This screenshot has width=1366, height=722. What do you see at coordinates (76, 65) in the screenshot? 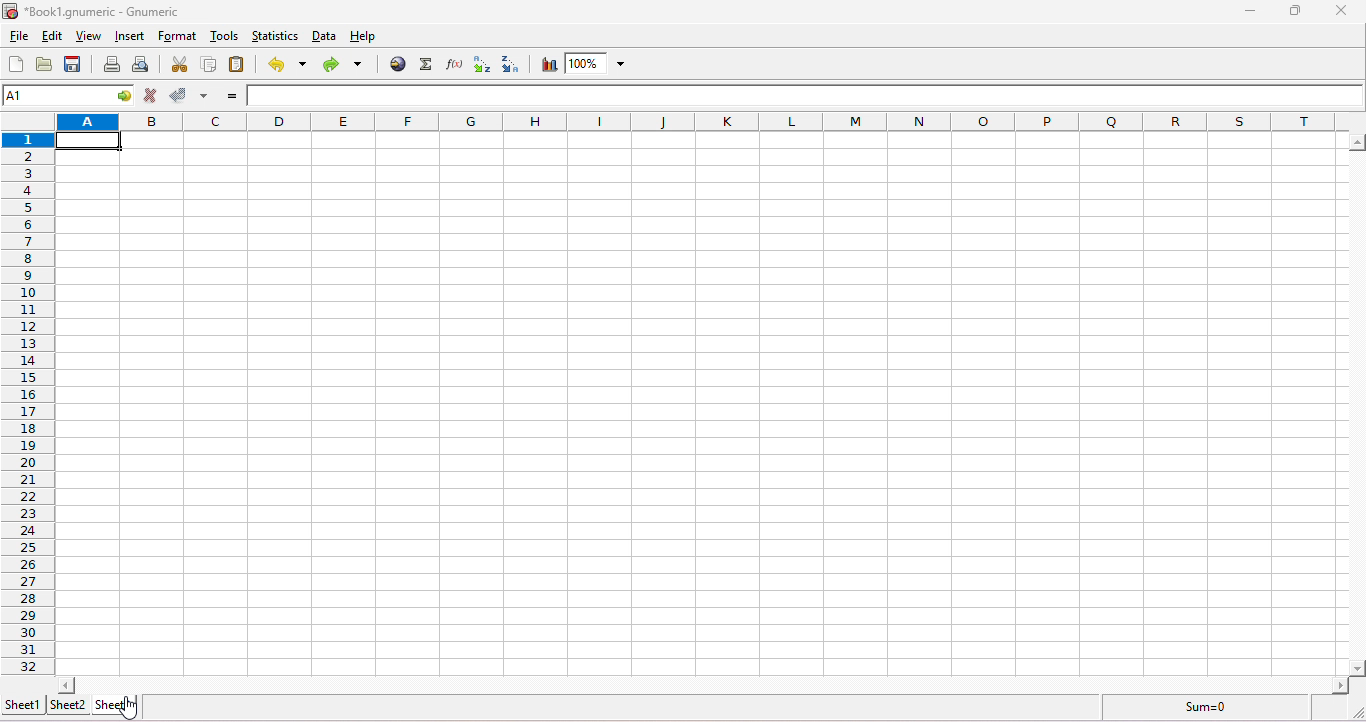
I see `save` at bounding box center [76, 65].